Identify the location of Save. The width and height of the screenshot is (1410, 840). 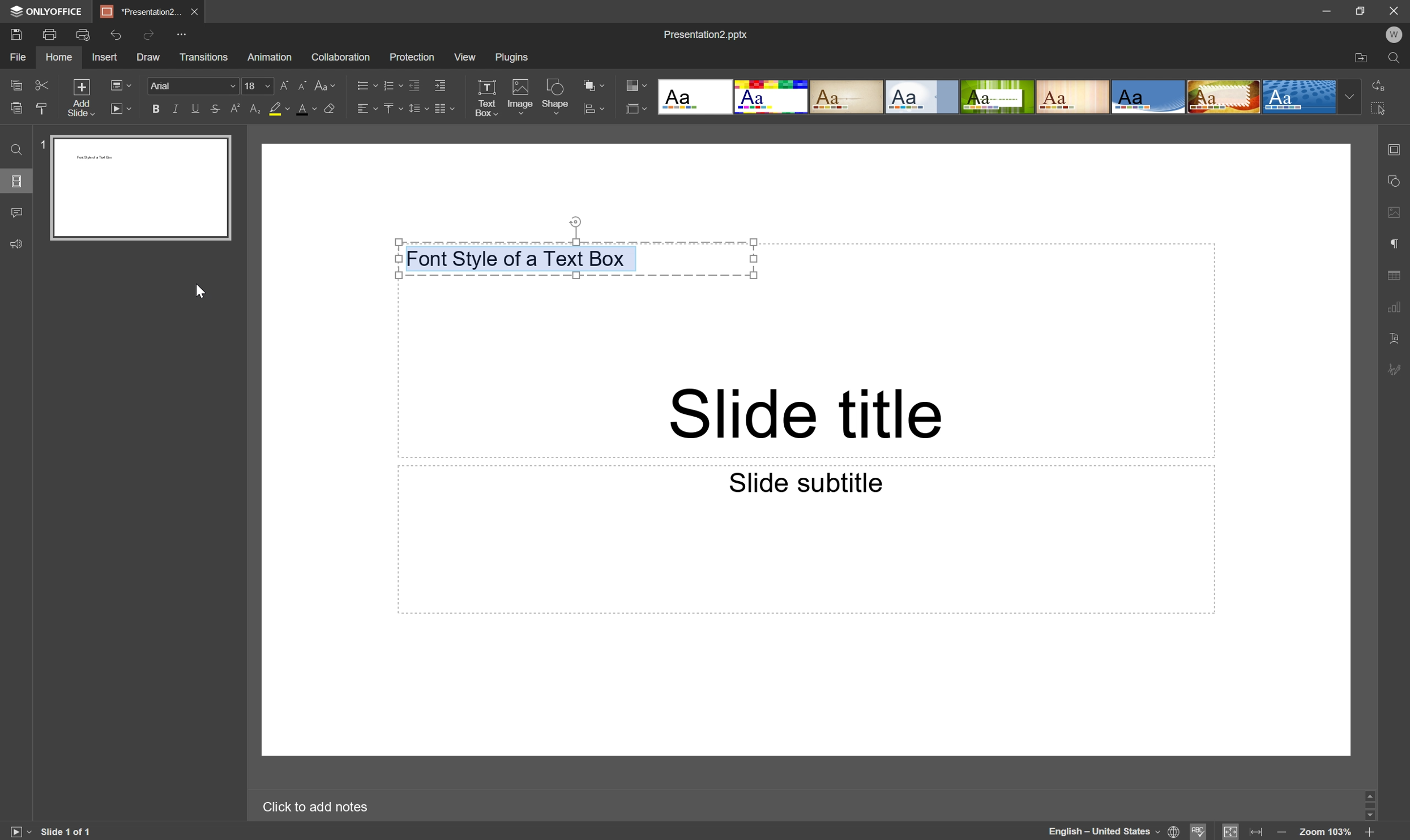
(17, 34).